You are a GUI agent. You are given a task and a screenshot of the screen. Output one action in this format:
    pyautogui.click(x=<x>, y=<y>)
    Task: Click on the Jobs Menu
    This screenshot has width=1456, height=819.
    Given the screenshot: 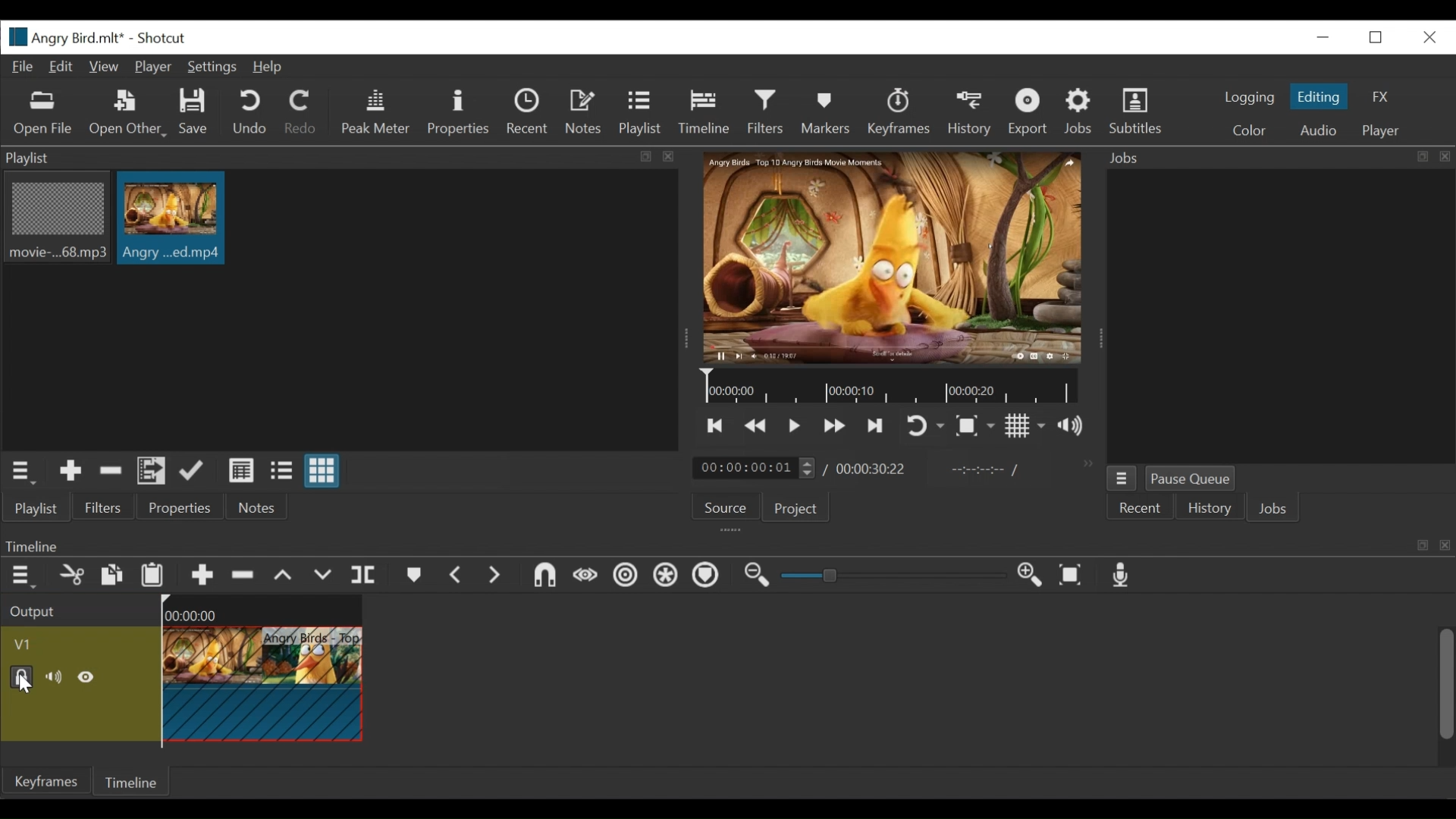 What is the action you would take?
    pyautogui.click(x=1121, y=479)
    